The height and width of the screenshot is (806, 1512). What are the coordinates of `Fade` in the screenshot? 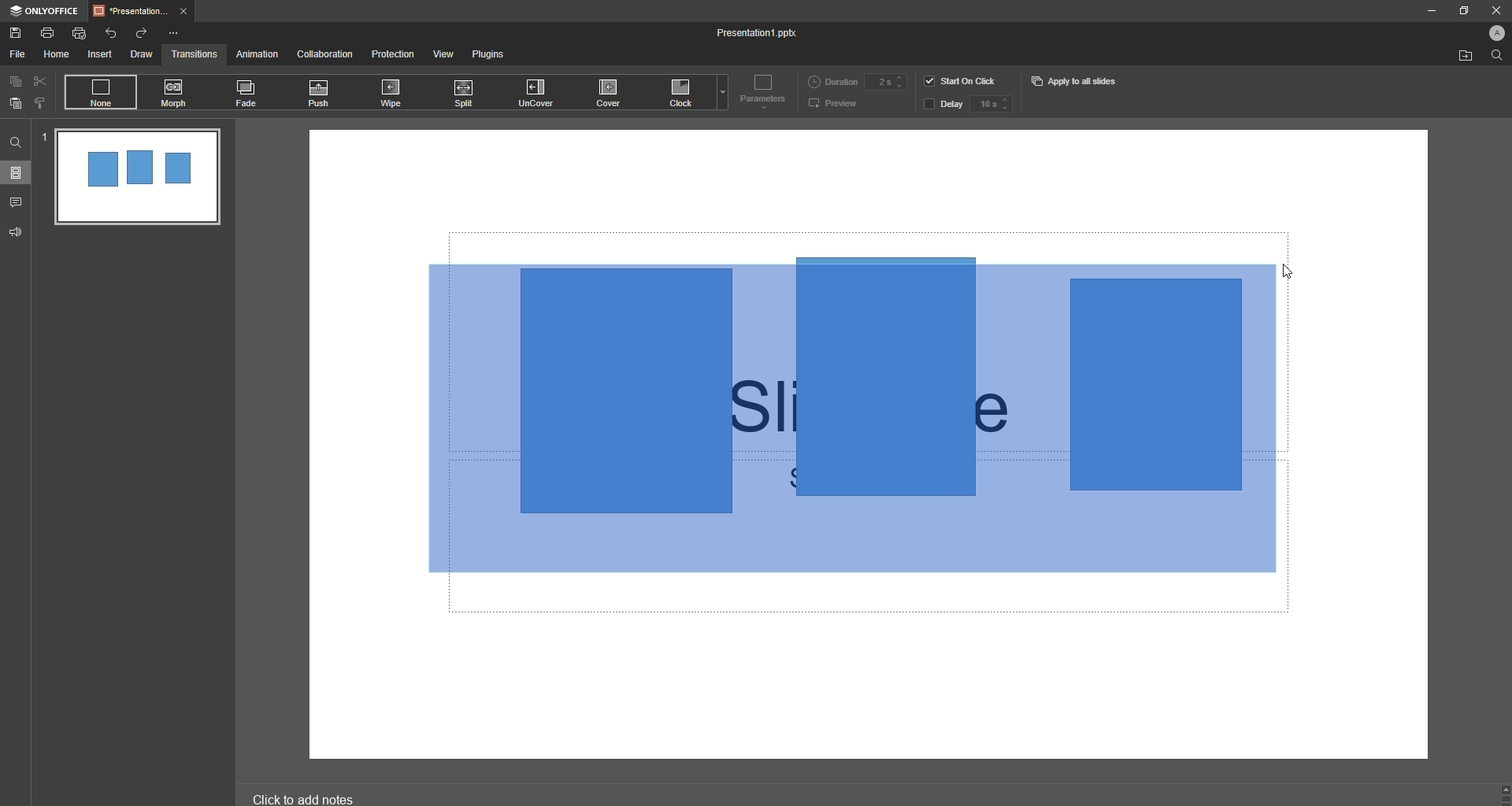 It's located at (247, 96).